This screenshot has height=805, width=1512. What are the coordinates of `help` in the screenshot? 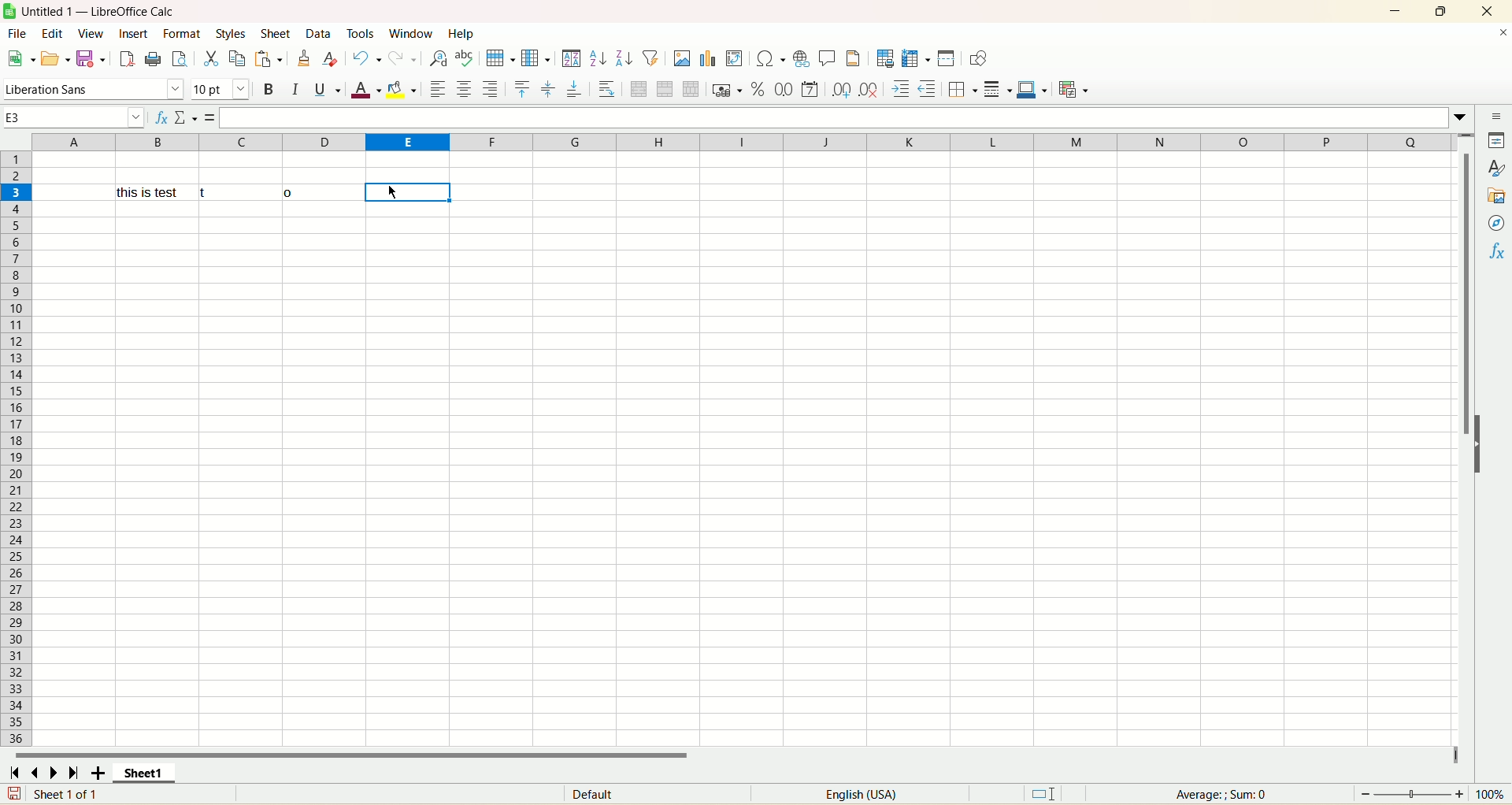 It's located at (461, 35).